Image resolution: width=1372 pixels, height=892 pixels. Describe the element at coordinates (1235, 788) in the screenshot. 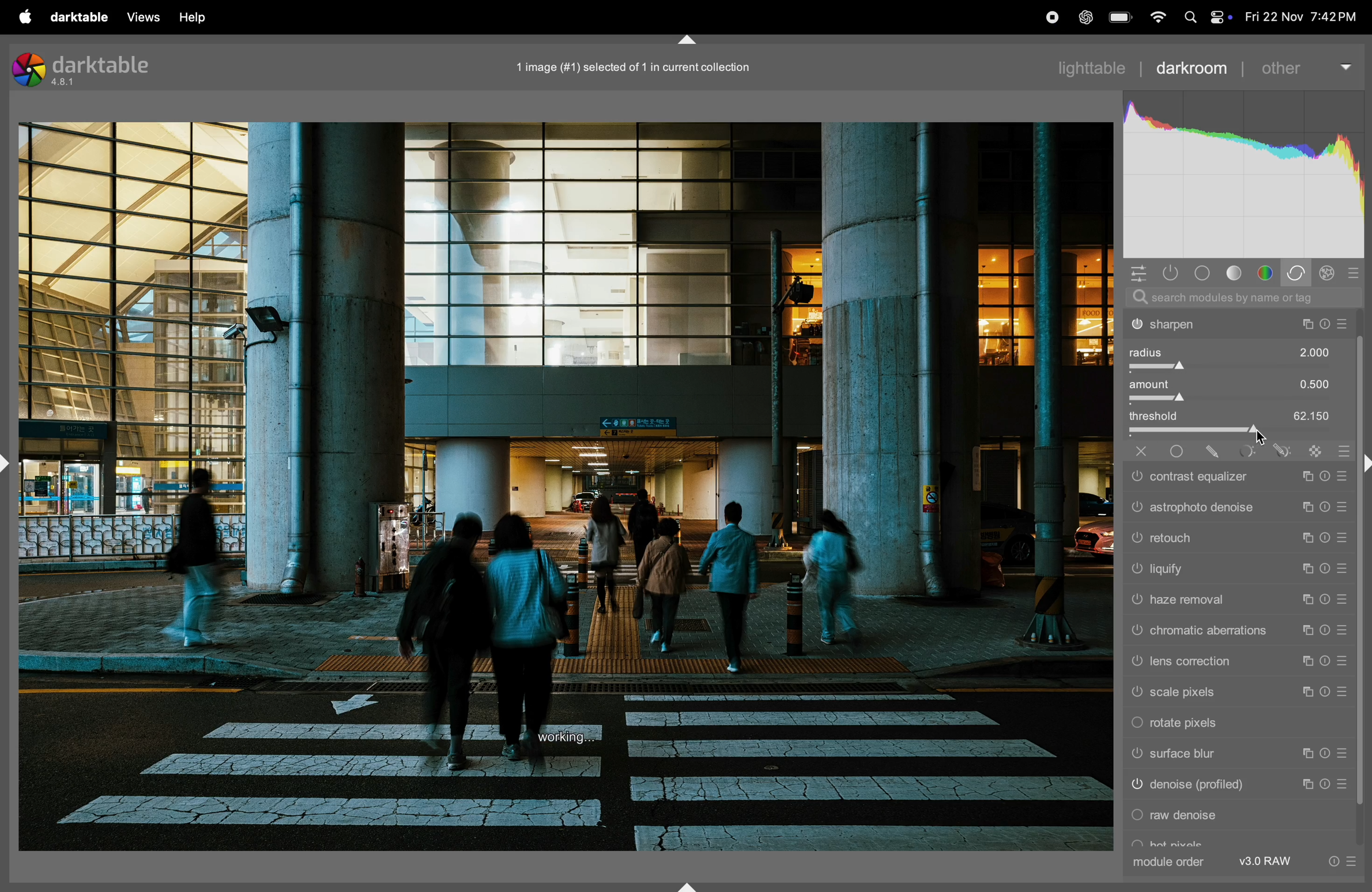

I see `denoise profile` at that location.